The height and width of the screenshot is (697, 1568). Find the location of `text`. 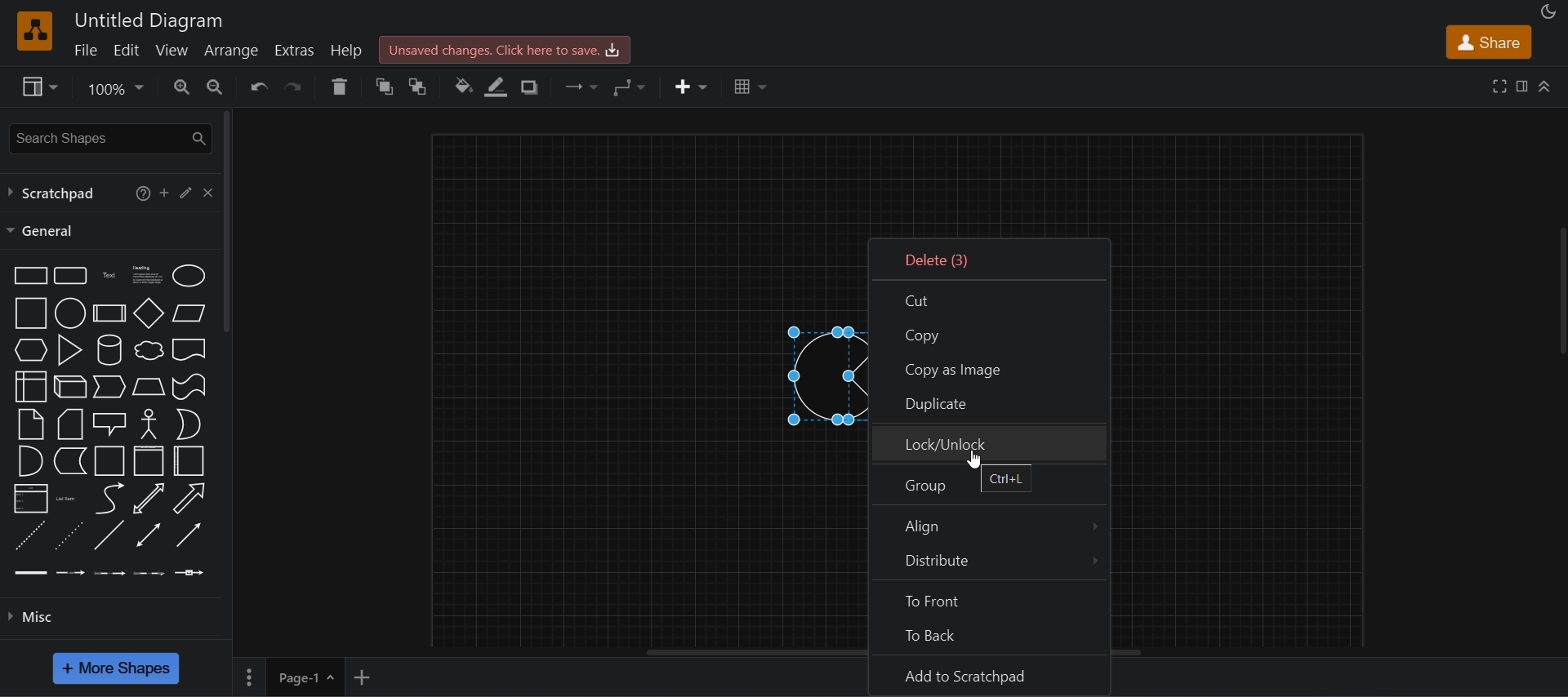

text is located at coordinates (110, 274).